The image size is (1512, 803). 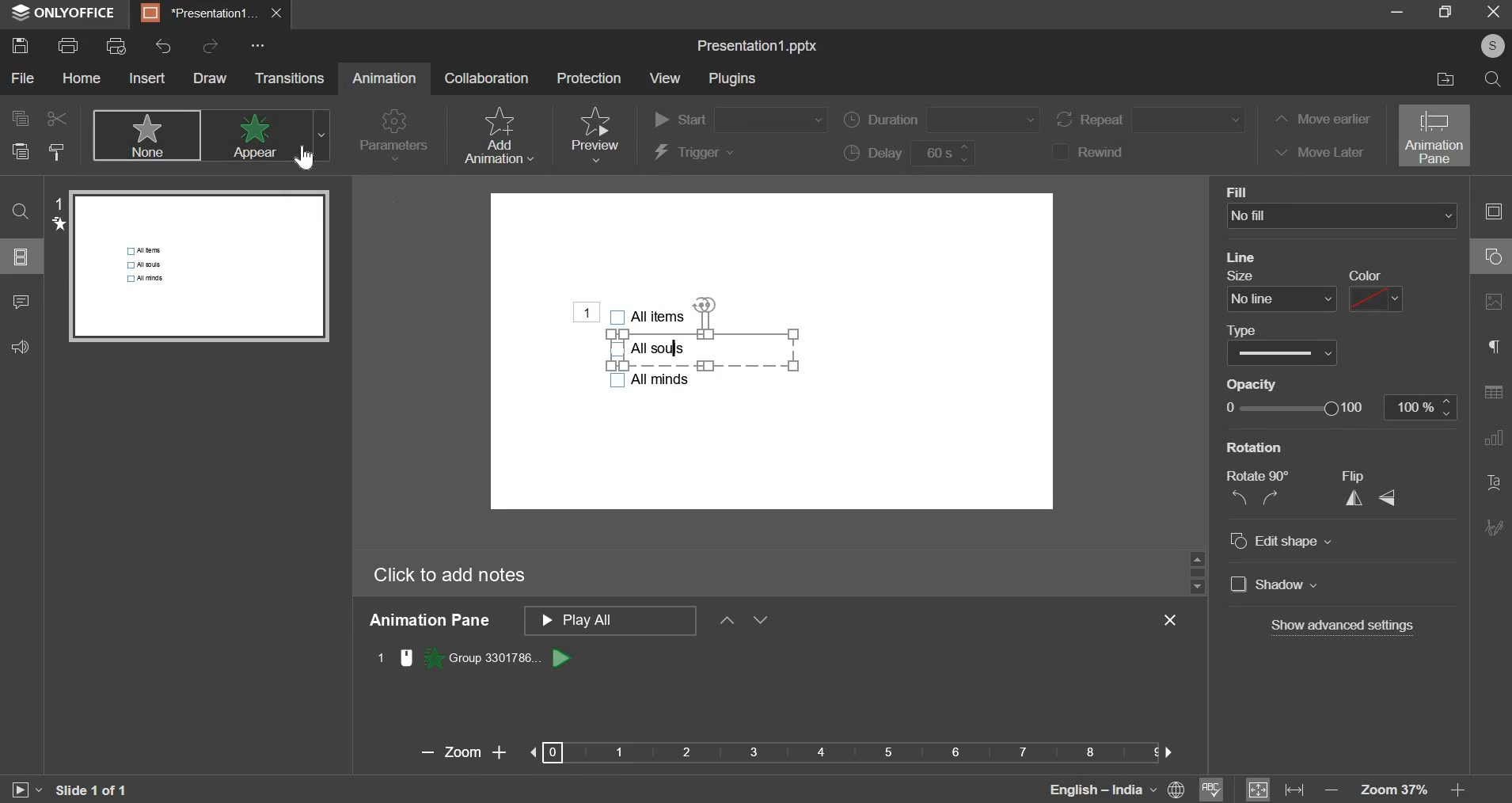 What do you see at coordinates (20, 153) in the screenshot?
I see `paste` at bounding box center [20, 153].